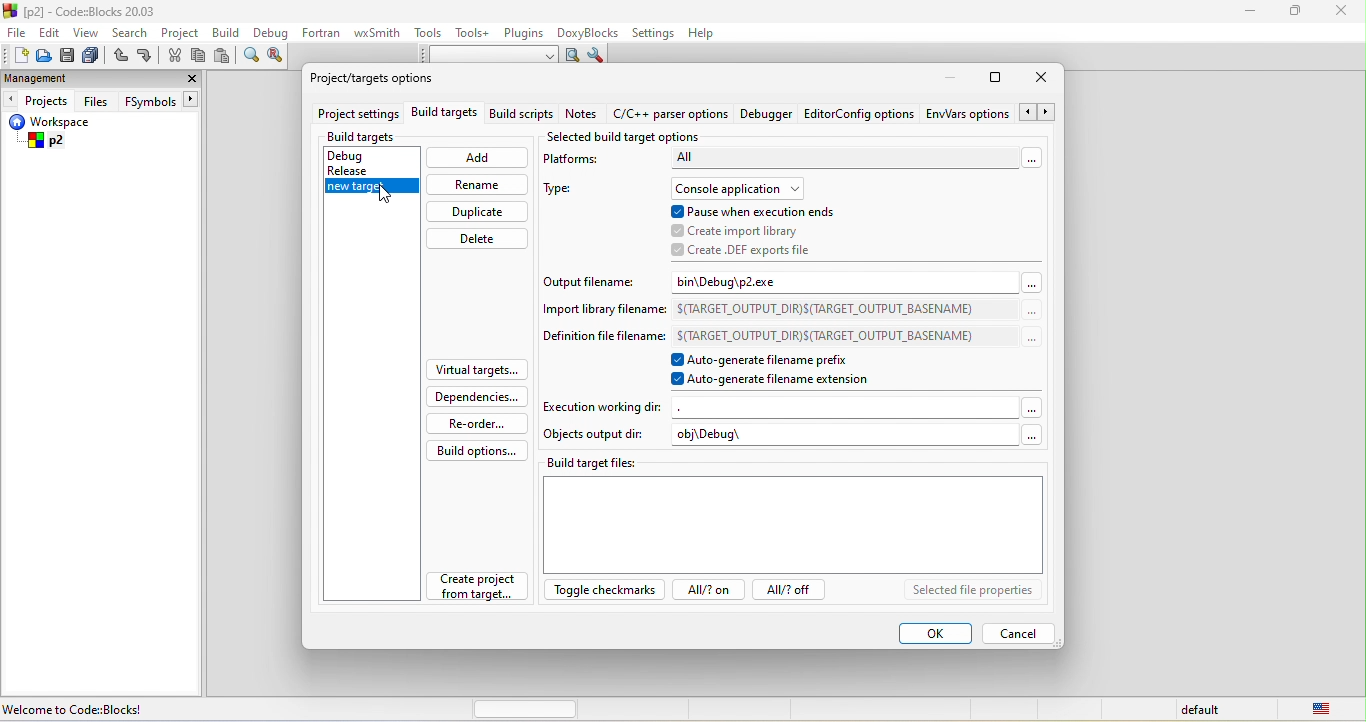  Describe the element at coordinates (122, 56) in the screenshot. I see `undo` at that location.